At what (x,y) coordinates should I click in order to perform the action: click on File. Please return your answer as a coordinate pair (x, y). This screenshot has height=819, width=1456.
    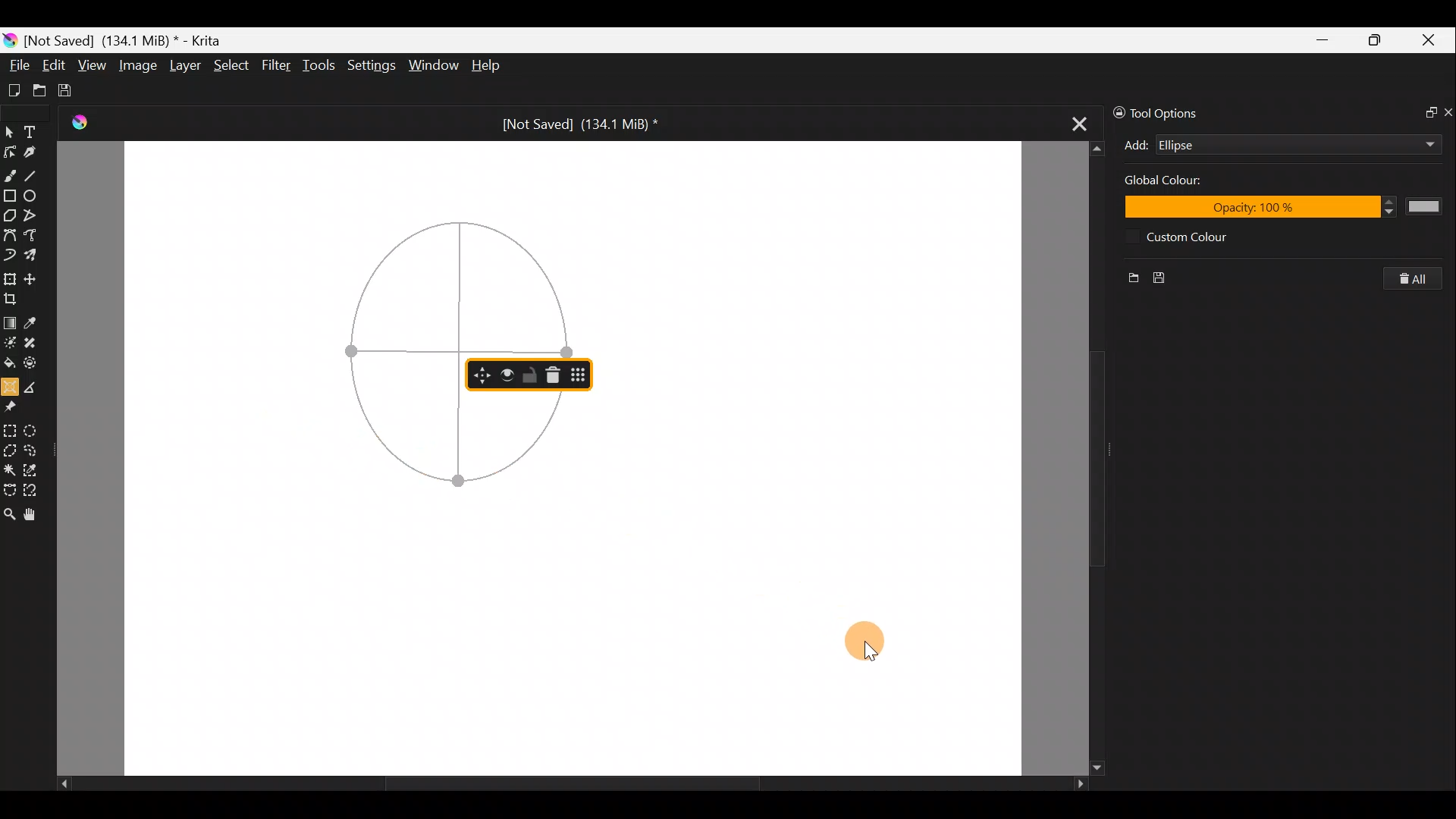
    Looking at the image, I should click on (17, 61).